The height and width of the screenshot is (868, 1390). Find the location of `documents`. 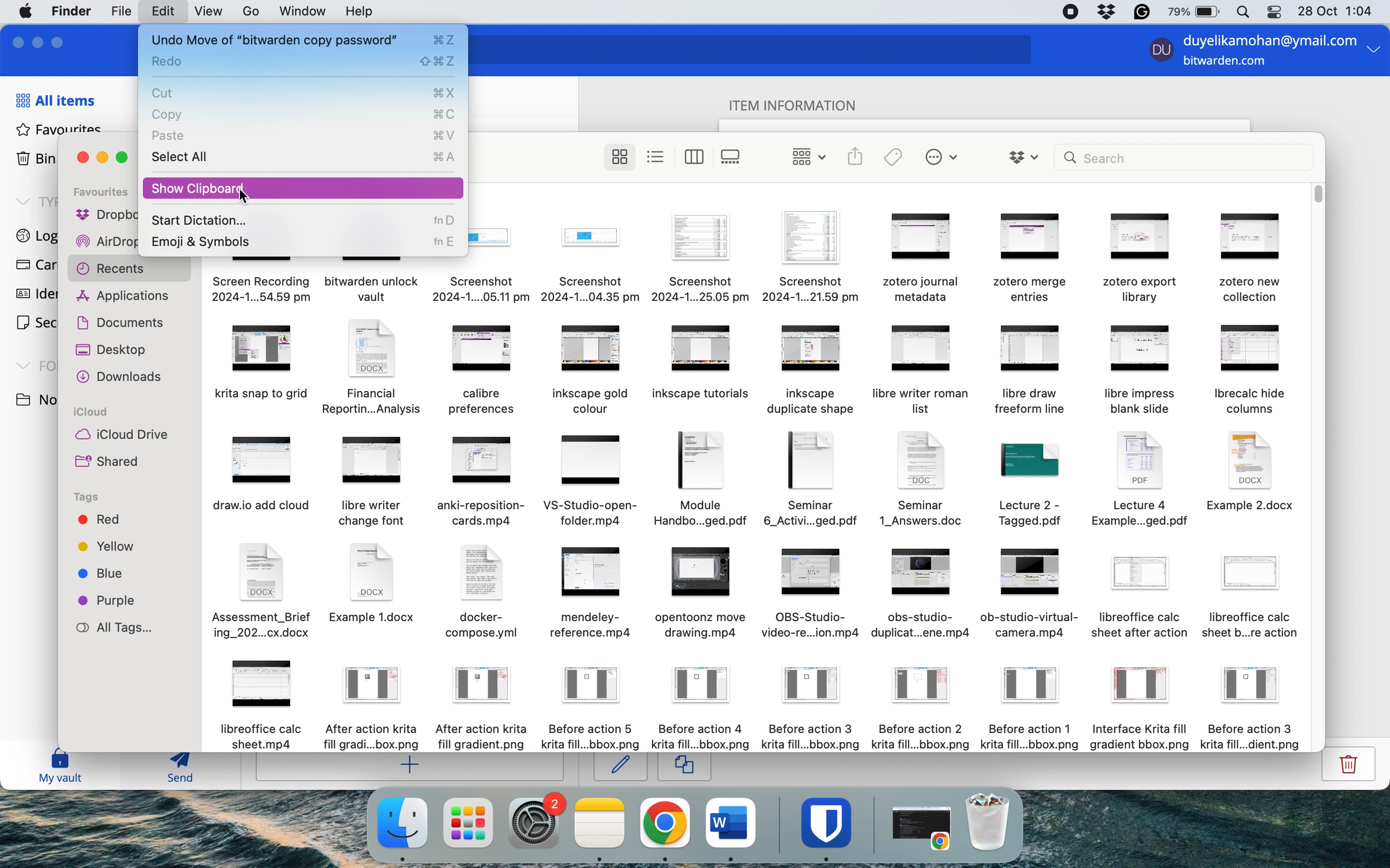

documents is located at coordinates (126, 321).